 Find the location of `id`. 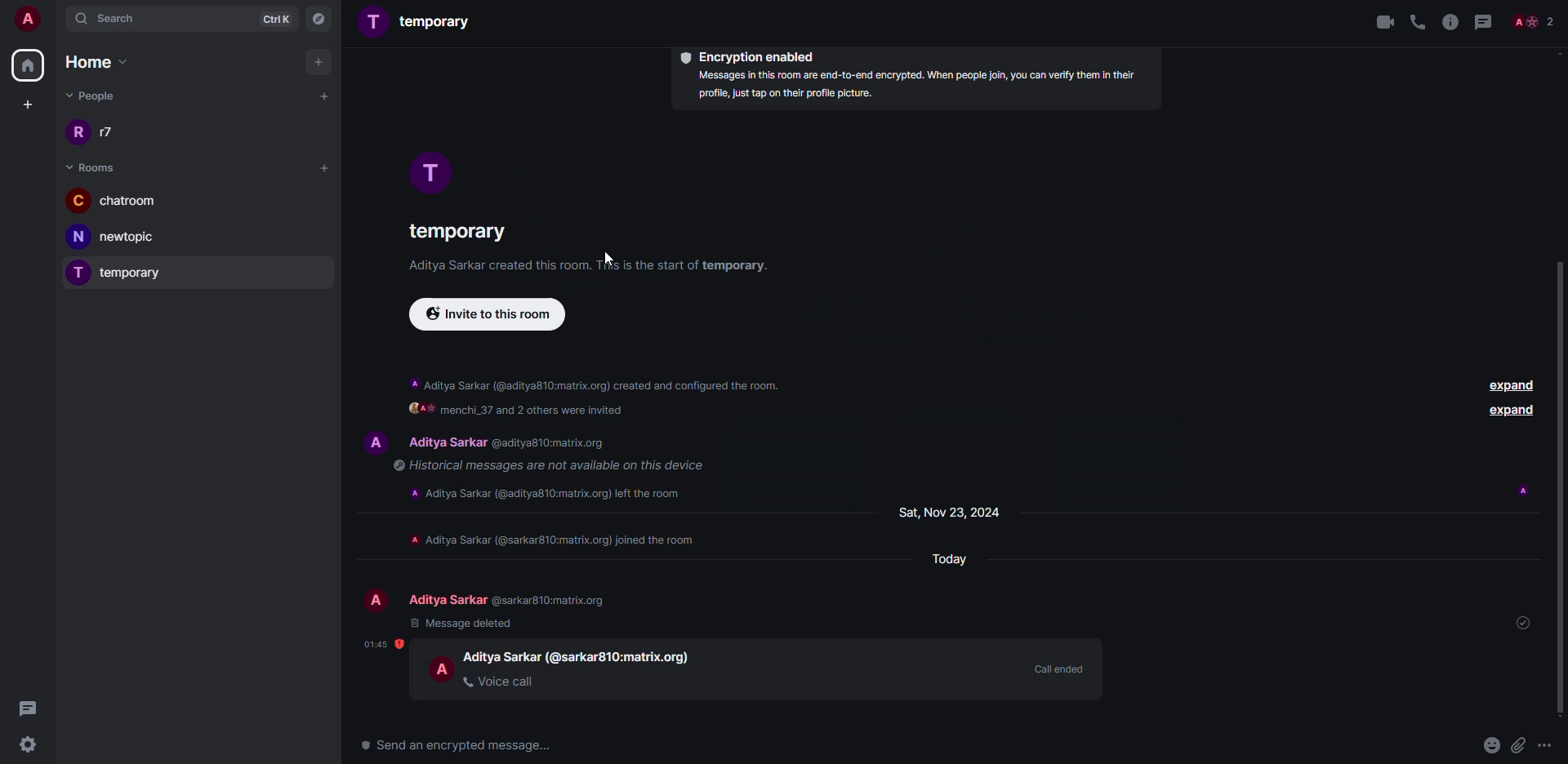

id is located at coordinates (617, 657).